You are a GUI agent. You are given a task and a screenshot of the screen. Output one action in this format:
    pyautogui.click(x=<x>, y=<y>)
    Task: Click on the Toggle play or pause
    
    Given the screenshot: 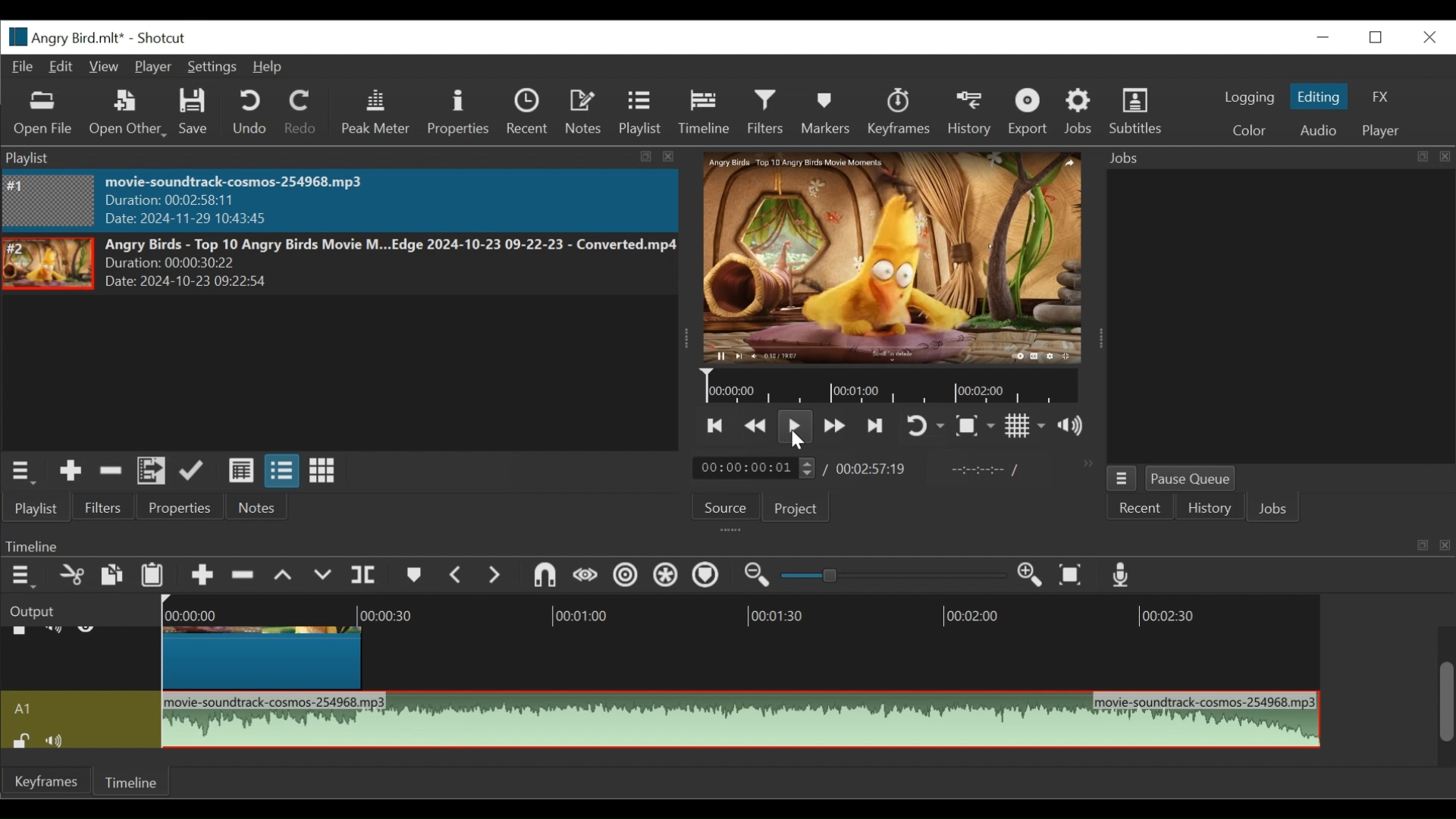 What is the action you would take?
    pyautogui.click(x=795, y=426)
    